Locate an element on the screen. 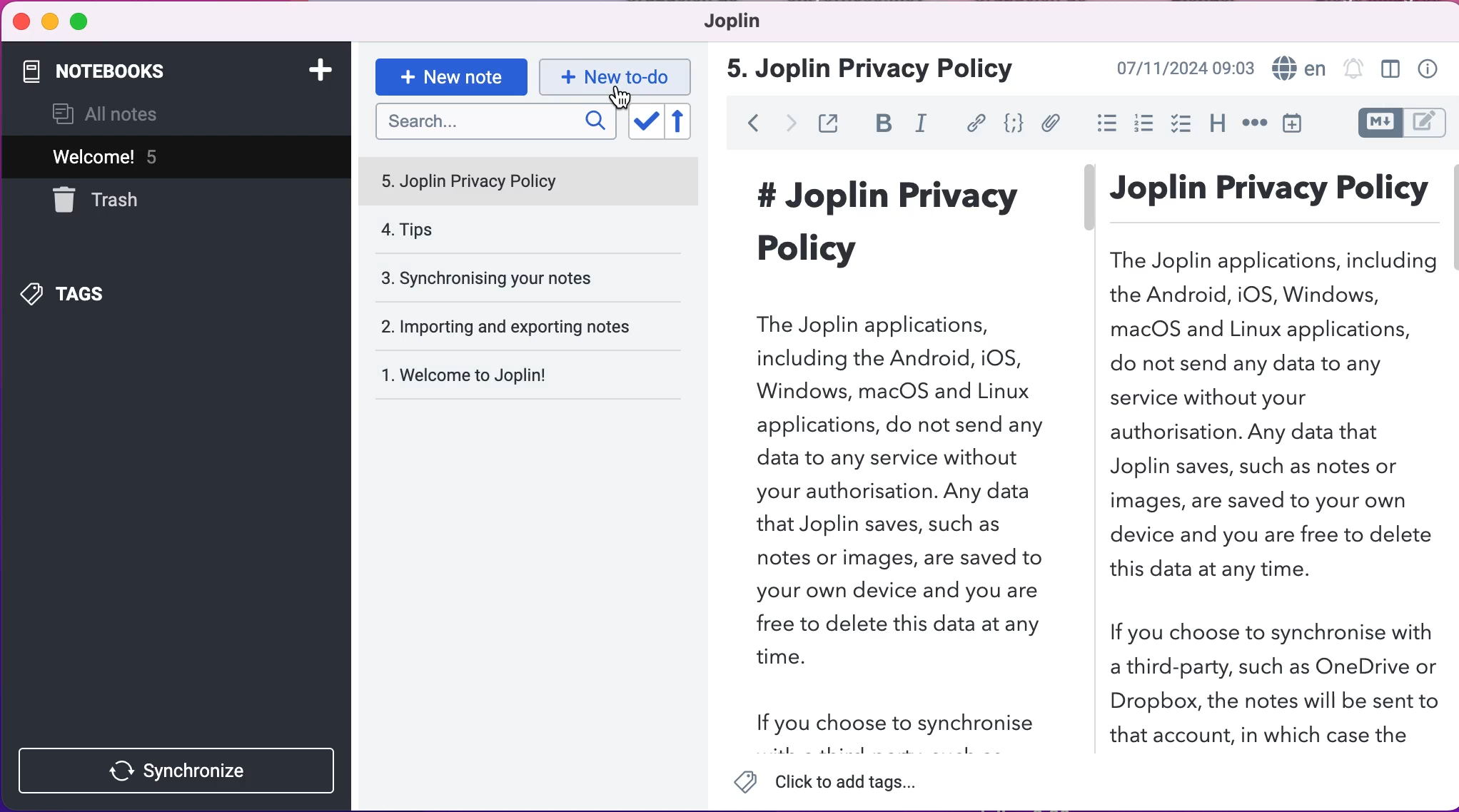 Image resolution: width=1459 pixels, height=812 pixels. back is located at coordinates (753, 126).